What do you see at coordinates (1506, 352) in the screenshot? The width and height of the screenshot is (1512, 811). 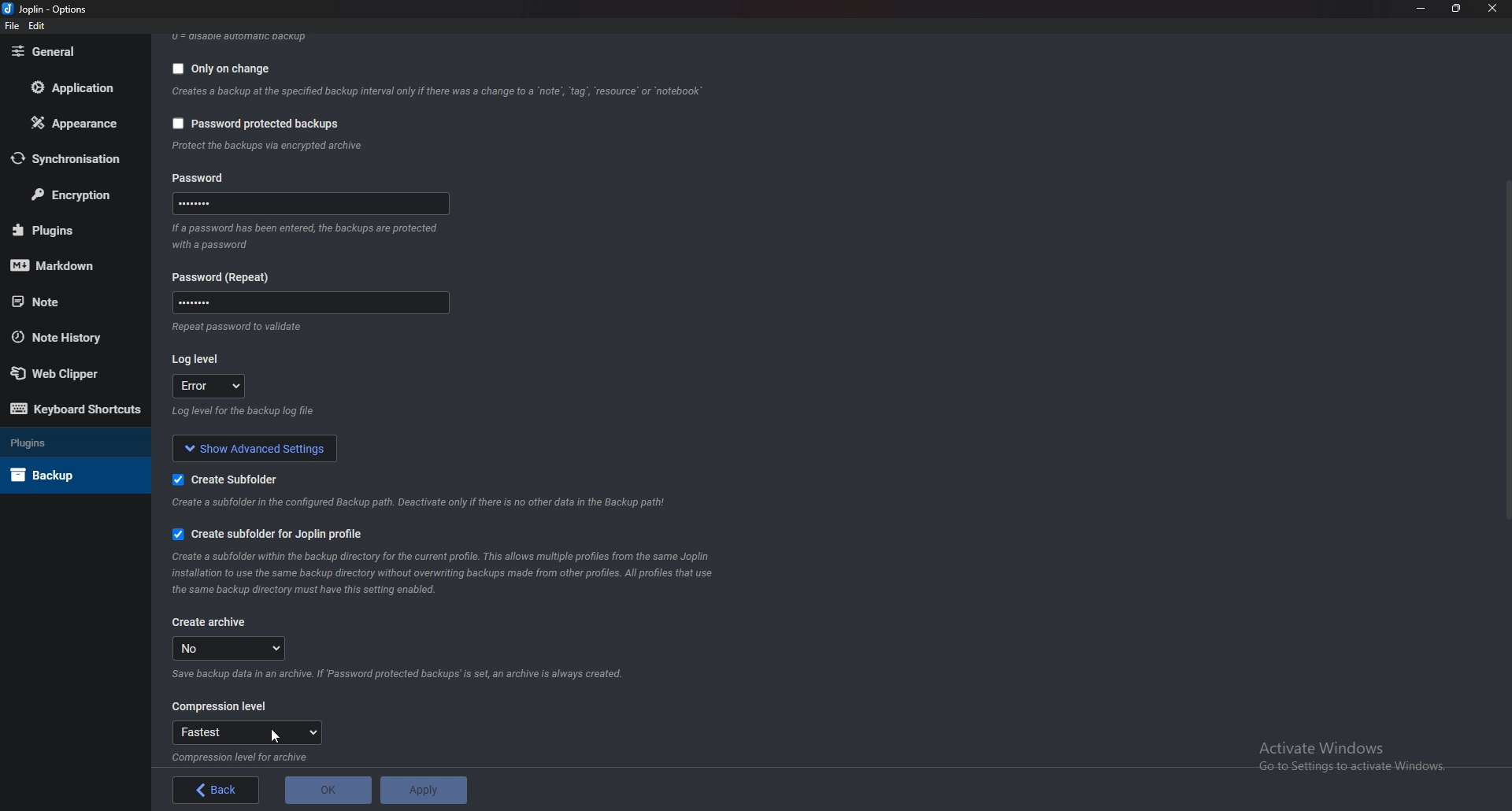 I see `scroll bar` at bounding box center [1506, 352].